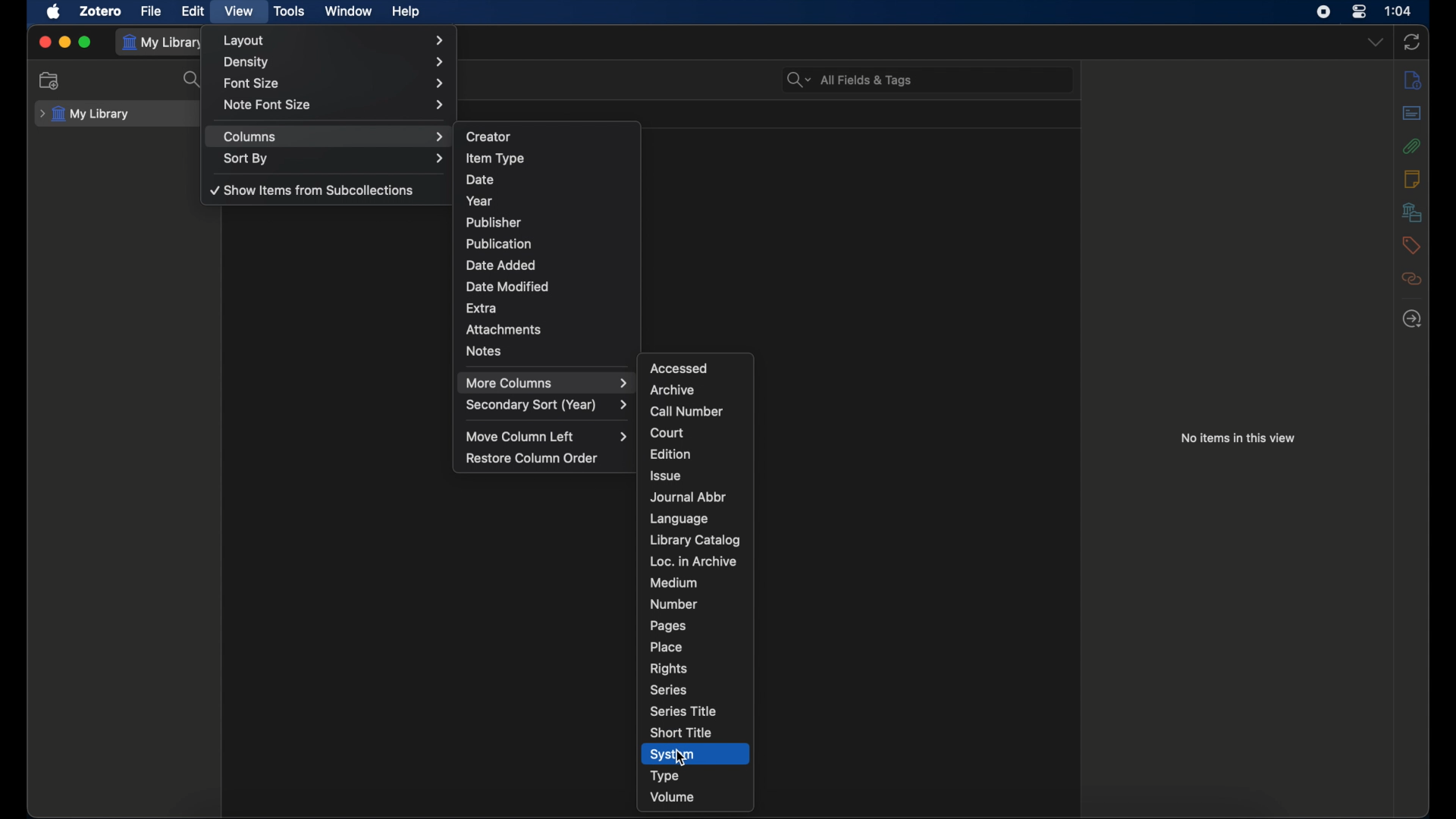 The width and height of the screenshot is (1456, 819). Describe the element at coordinates (152, 11) in the screenshot. I see `file` at that location.